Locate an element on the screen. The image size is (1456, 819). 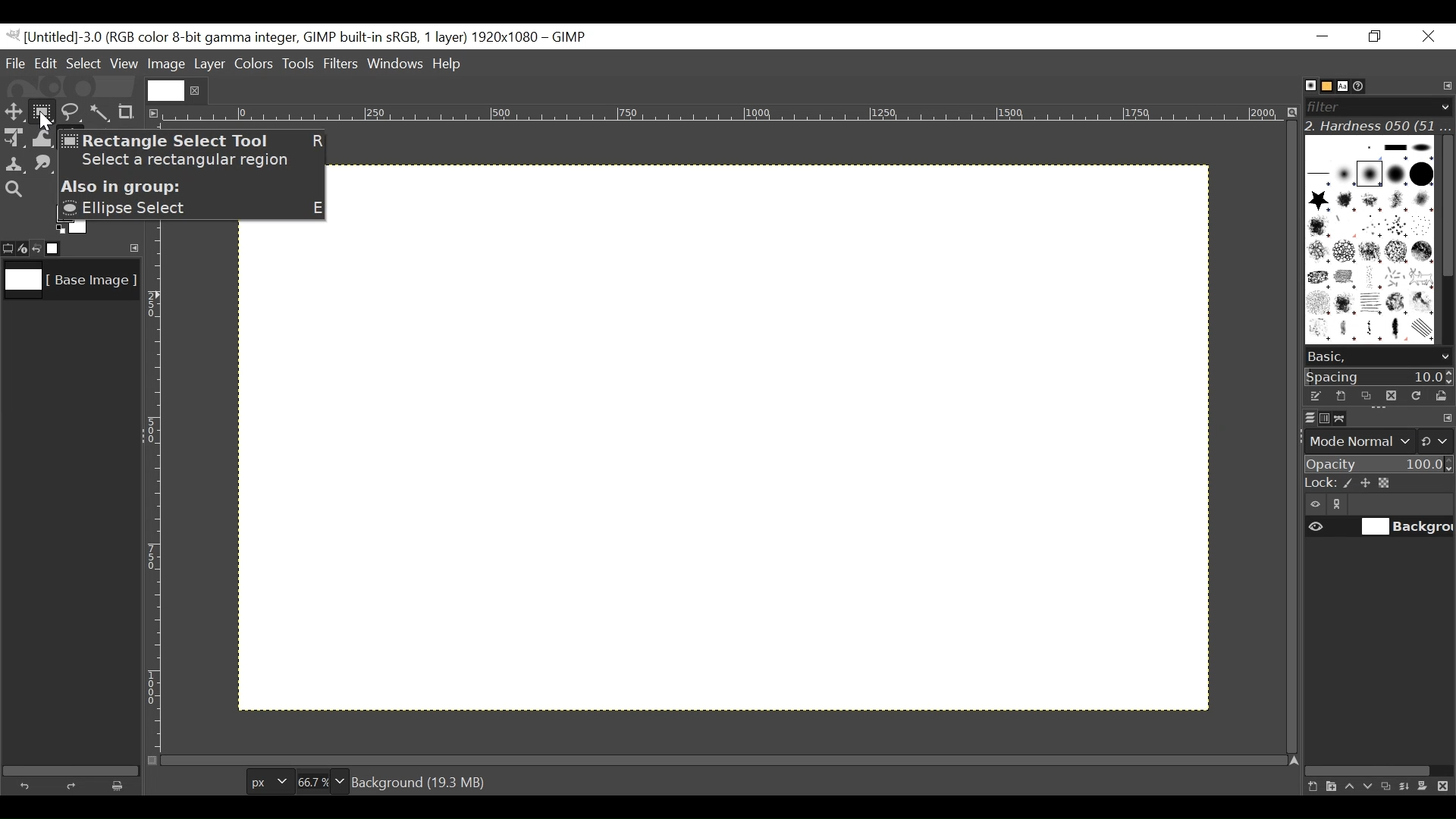
Opacity is located at coordinates (1377, 465).